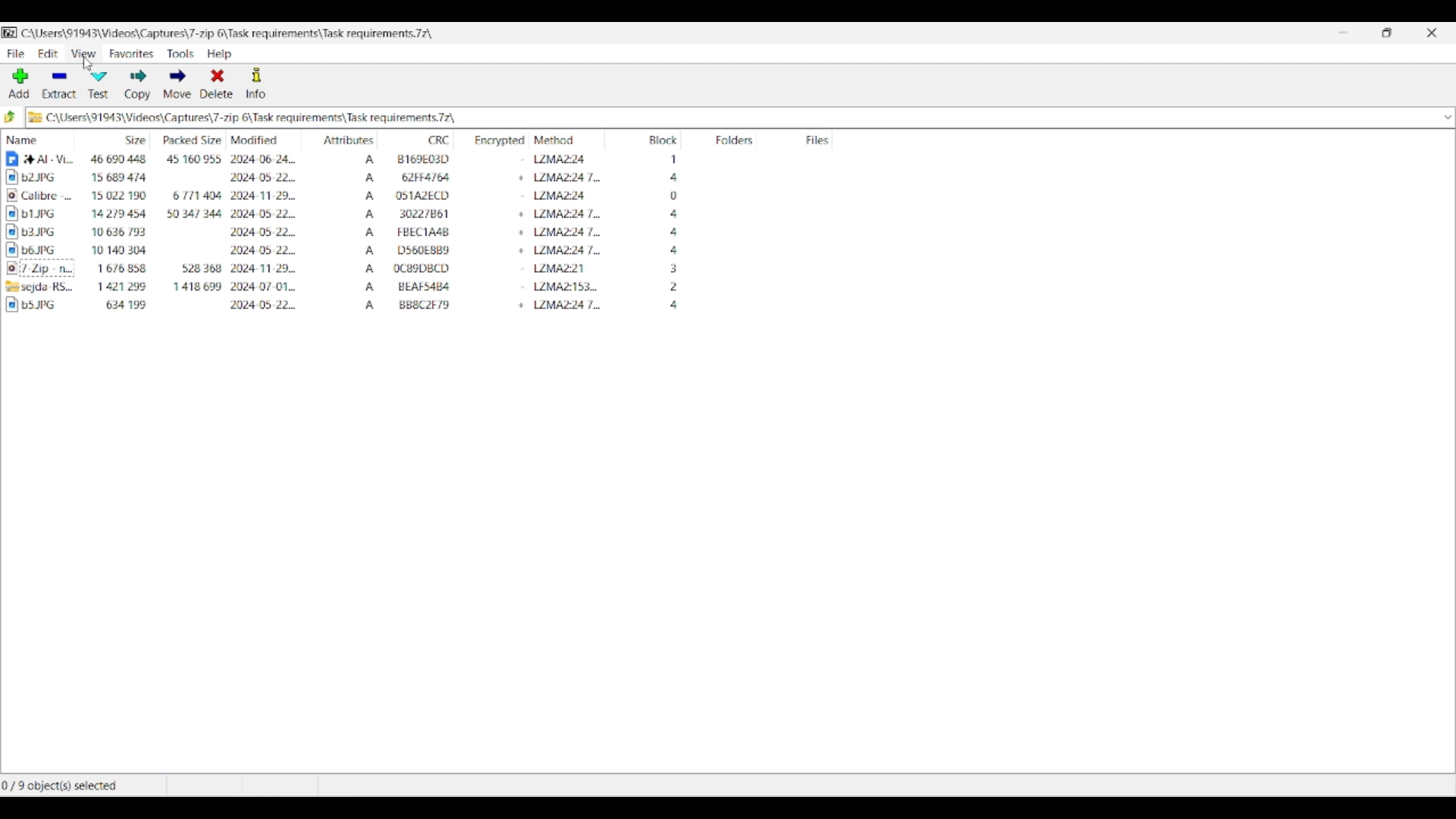  I want to click on Favorites menu, so click(132, 54).